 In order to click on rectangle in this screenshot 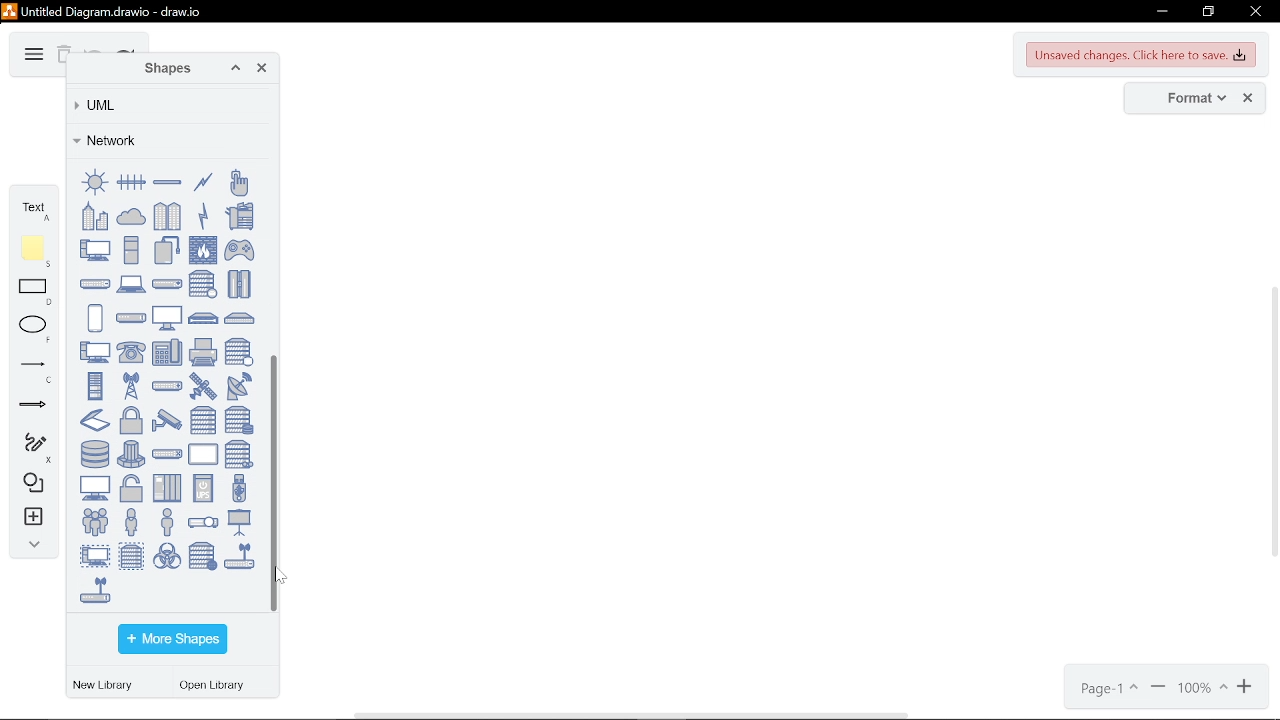, I will do `click(36, 293)`.